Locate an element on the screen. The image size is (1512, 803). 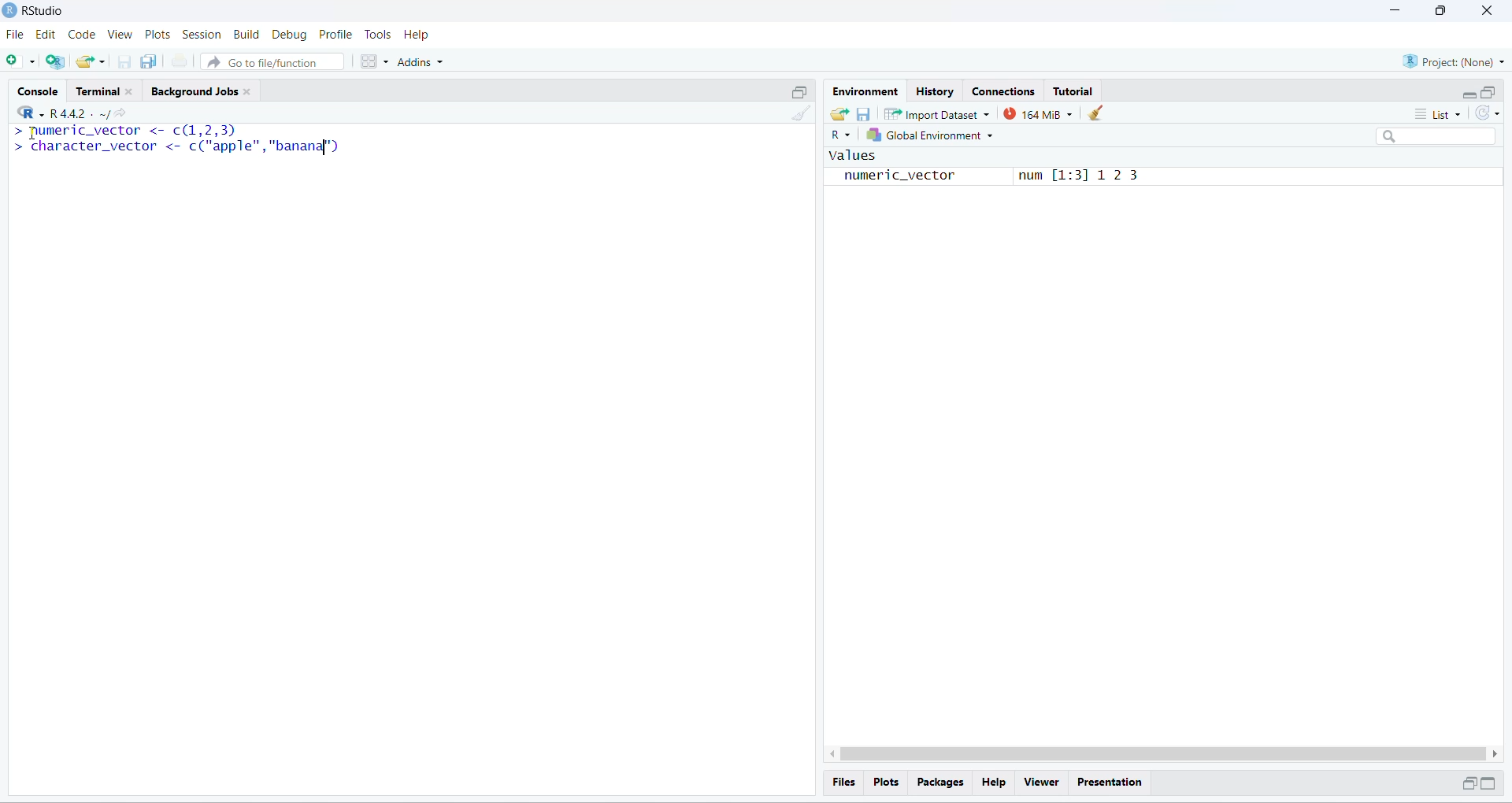
Viewer is located at coordinates (1042, 783).